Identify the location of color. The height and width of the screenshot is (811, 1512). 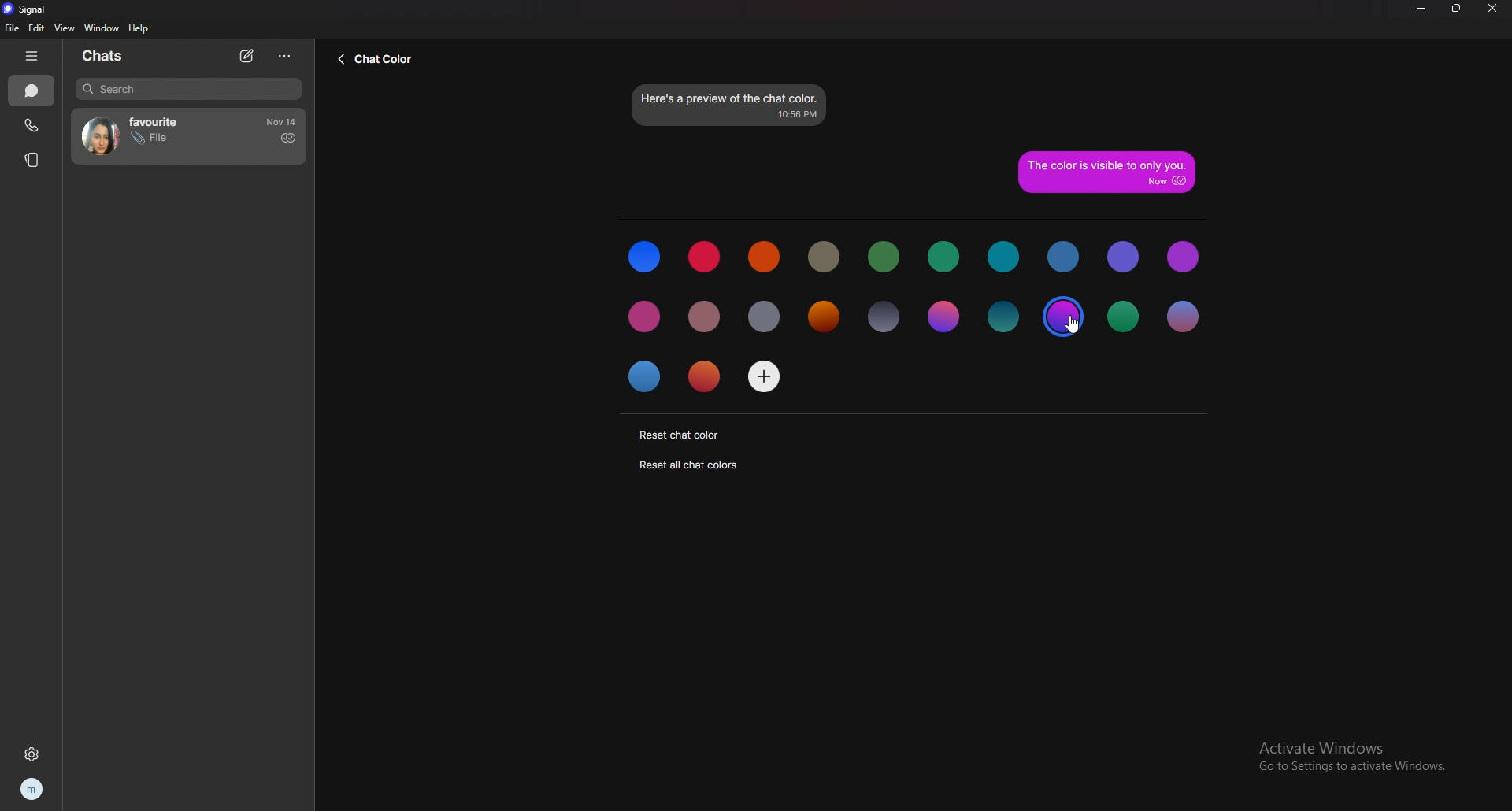
(886, 257).